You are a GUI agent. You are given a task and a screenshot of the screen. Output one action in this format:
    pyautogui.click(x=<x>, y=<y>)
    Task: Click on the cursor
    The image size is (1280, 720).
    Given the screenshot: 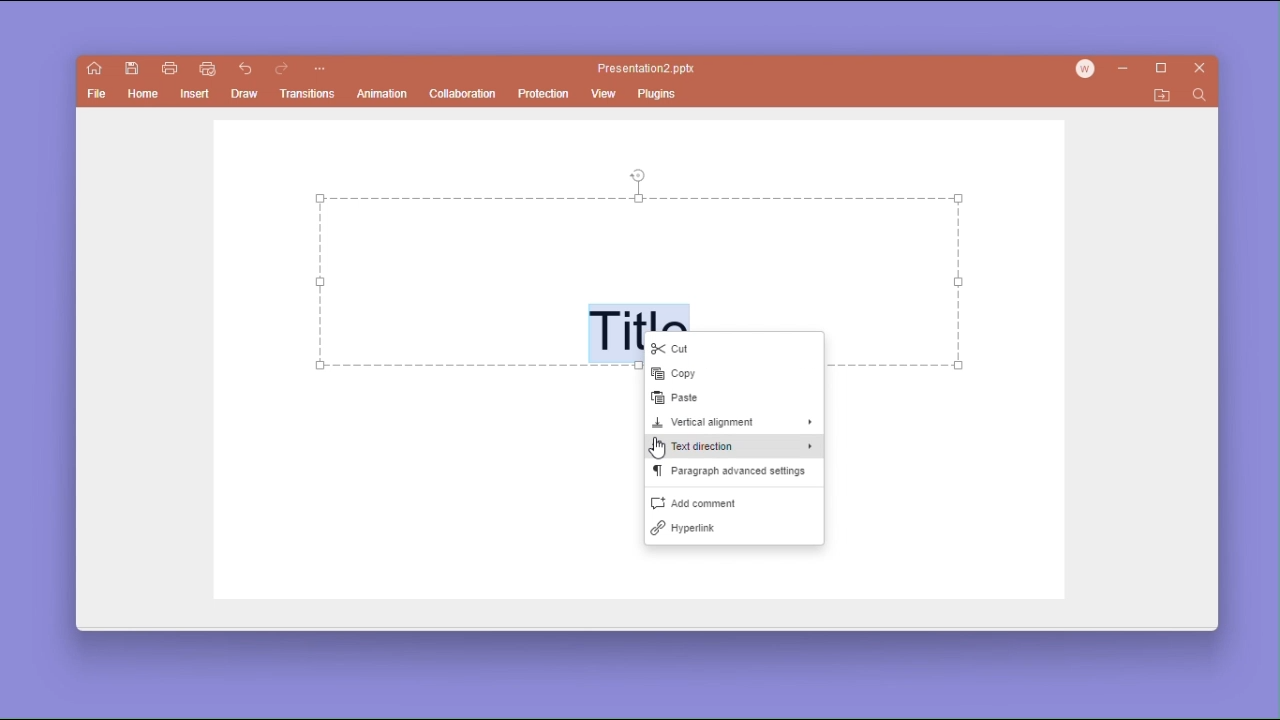 What is the action you would take?
    pyautogui.click(x=659, y=448)
    